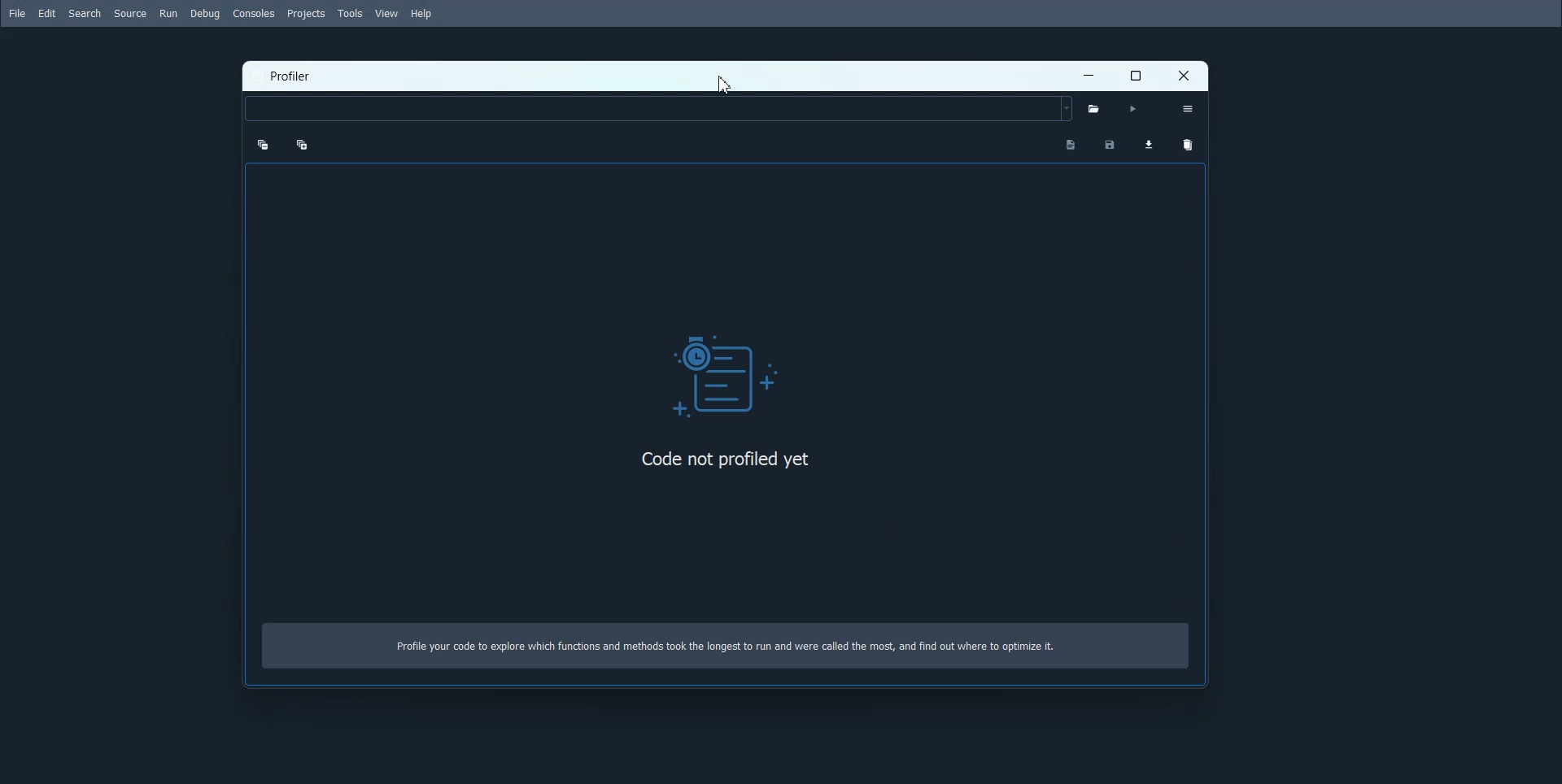 This screenshot has width=1562, height=784. What do you see at coordinates (736, 648) in the screenshot?
I see `Profile your code to explore which functions and methods took the longest to run and were called the most, and find out where to optimize it.` at bounding box center [736, 648].